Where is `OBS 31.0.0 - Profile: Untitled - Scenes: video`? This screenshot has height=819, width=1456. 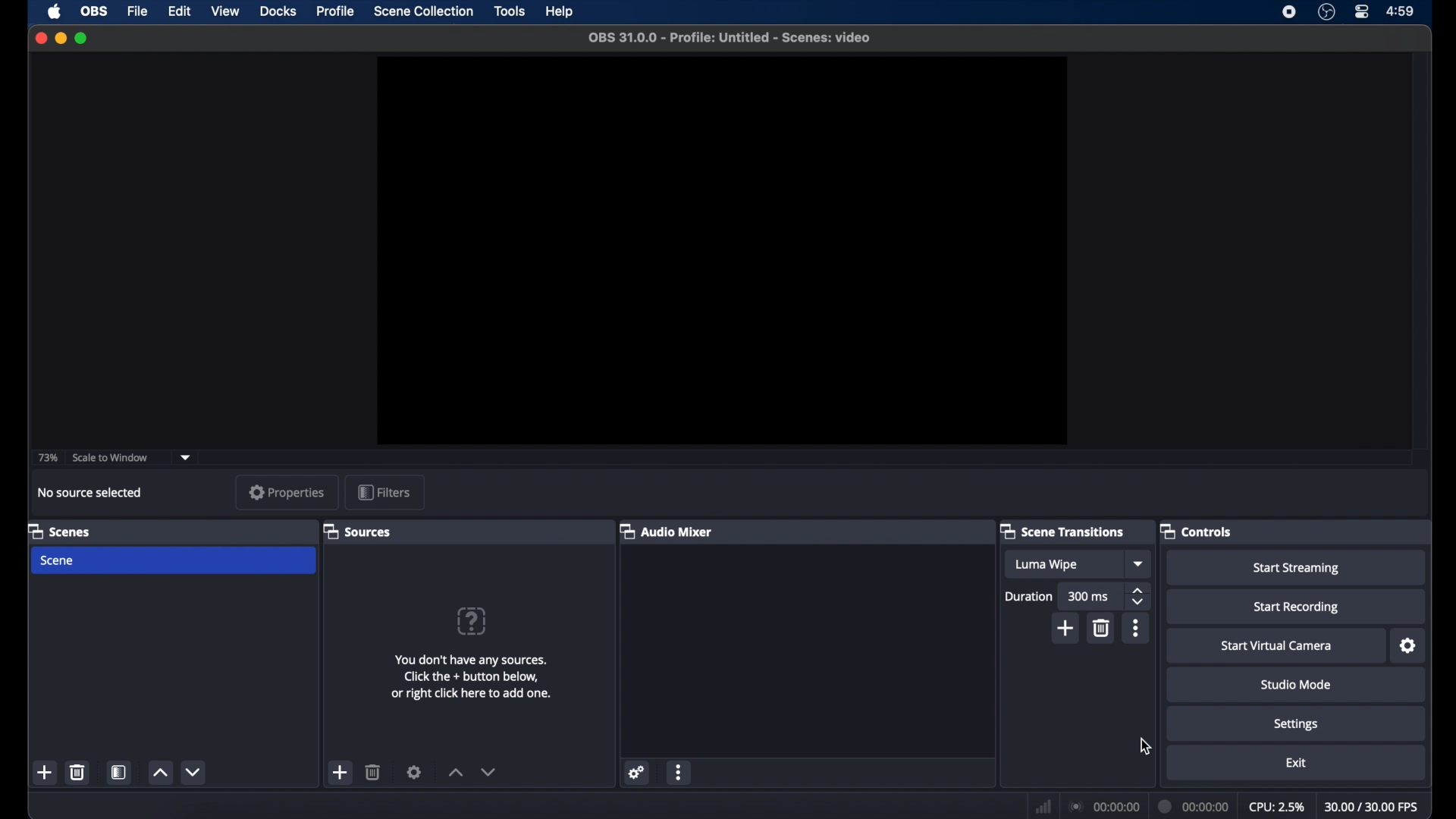
OBS 31.0.0 - Profile: Untitled - Scenes: video is located at coordinates (733, 37).